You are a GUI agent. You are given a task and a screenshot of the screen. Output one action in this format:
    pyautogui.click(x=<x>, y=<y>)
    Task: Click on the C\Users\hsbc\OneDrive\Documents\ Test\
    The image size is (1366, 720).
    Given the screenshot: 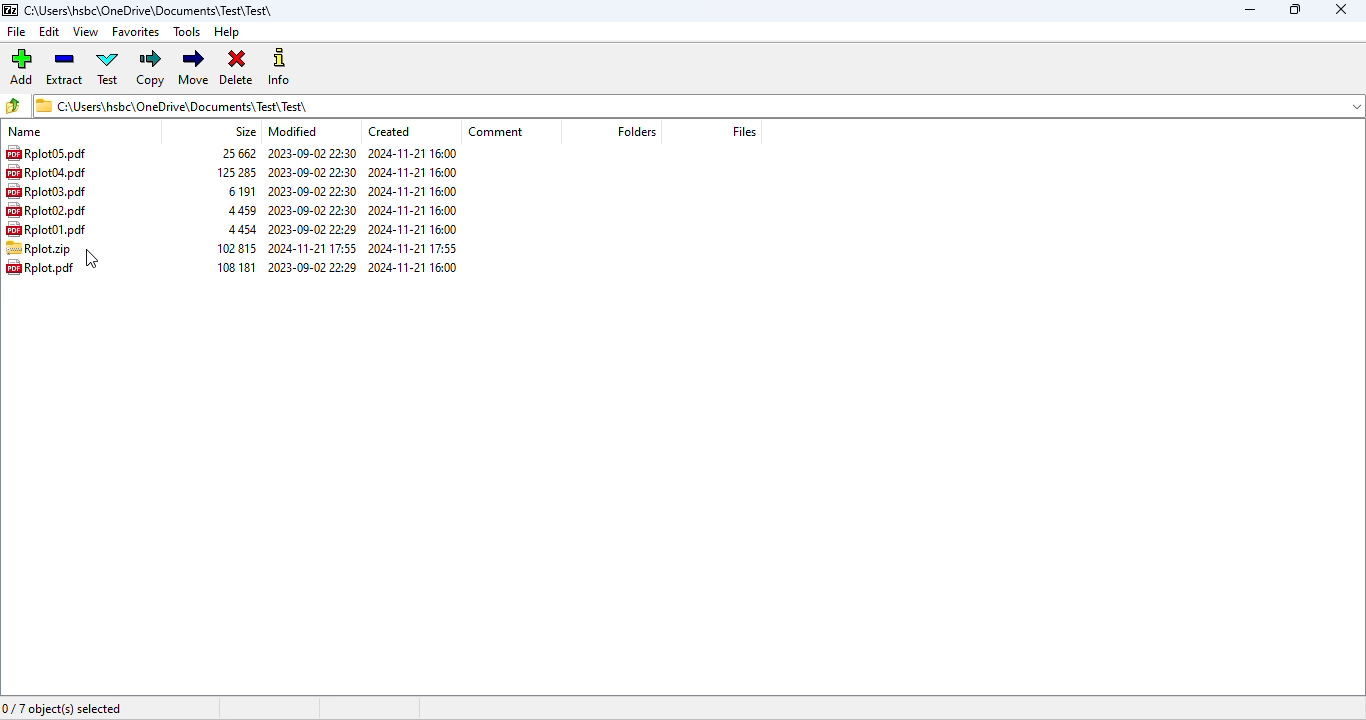 What is the action you would take?
    pyautogui.click(x=700, y=105)
    